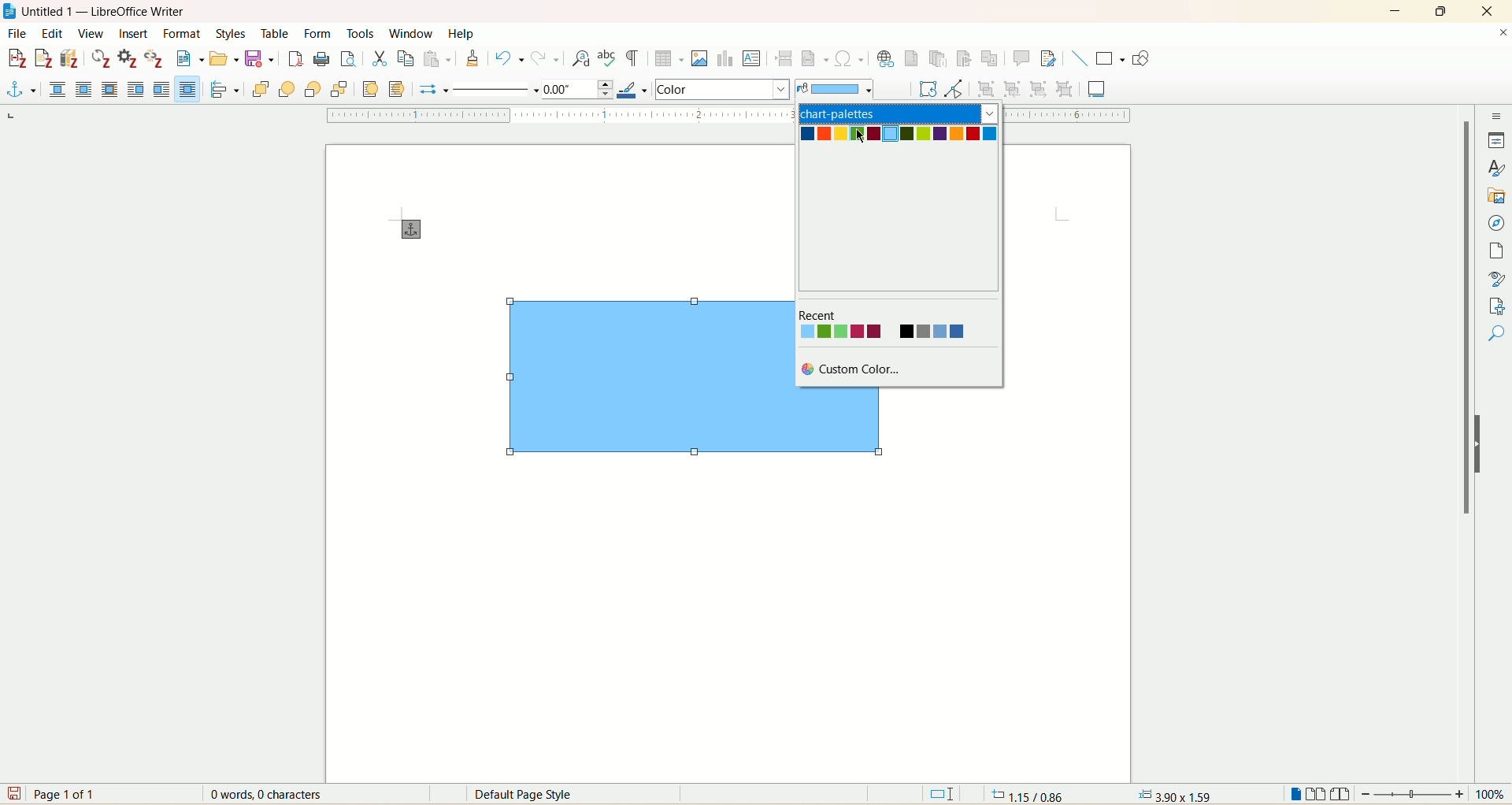 The image size is (1512, 805). What do you see at coordinates (321, 59) in the screenshot?
I see `print` at bounding box center [321, 59].